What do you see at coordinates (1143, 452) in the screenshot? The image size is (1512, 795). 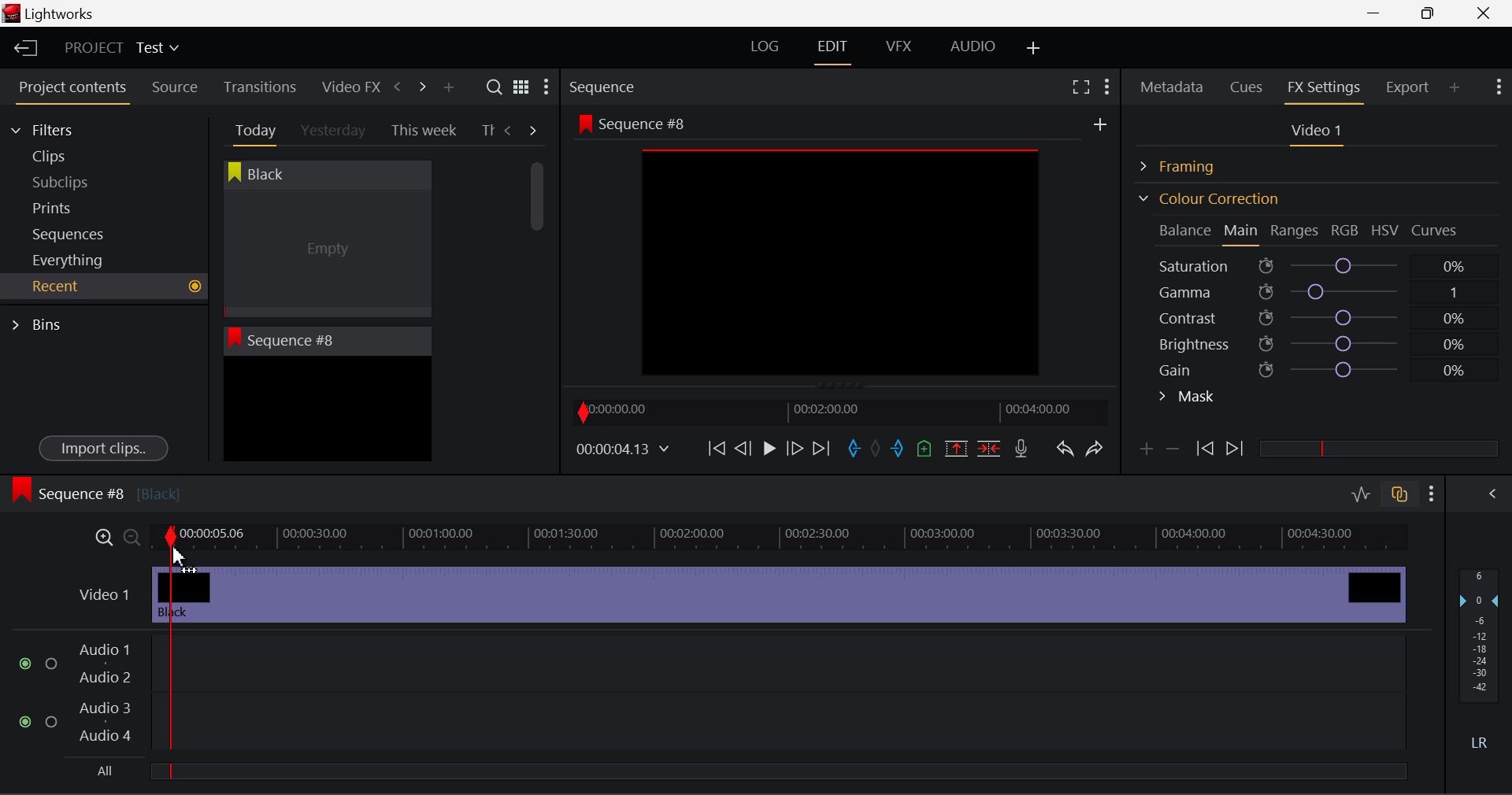 I see `Add keyframe` at bounding box center [1143, 452].